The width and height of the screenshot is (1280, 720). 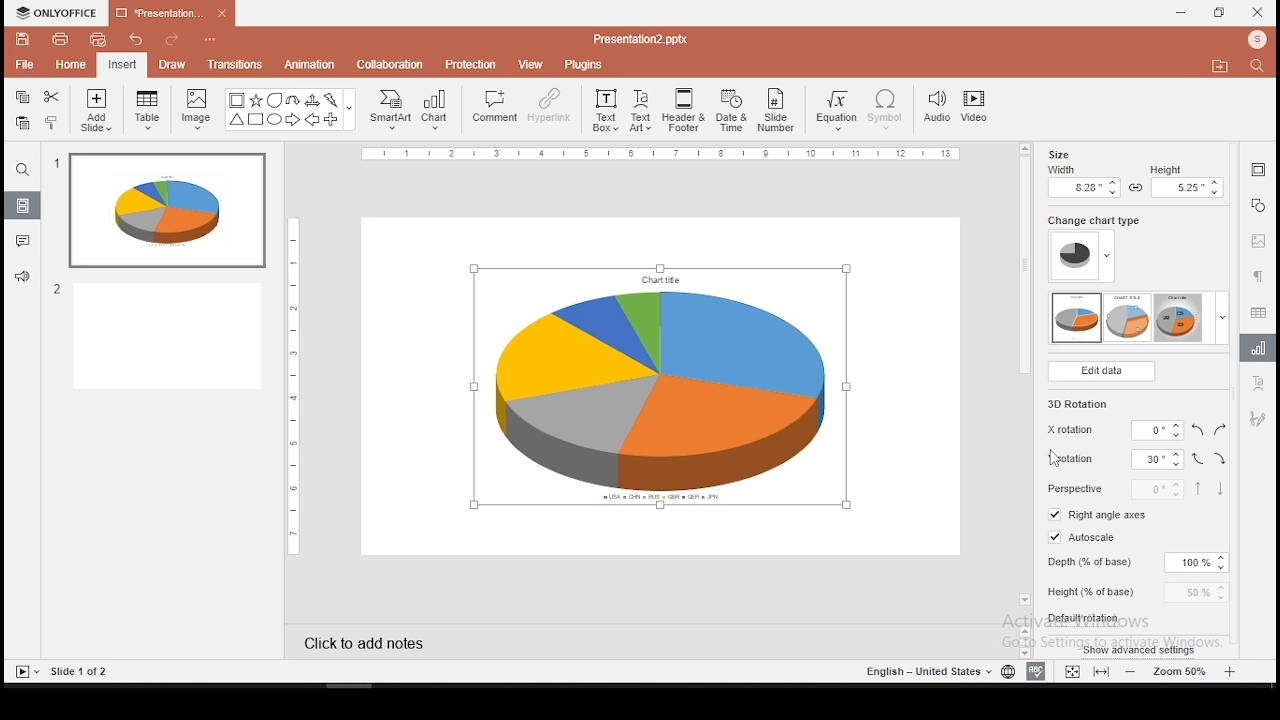 I want to click on home, so click(x=72, y=65).